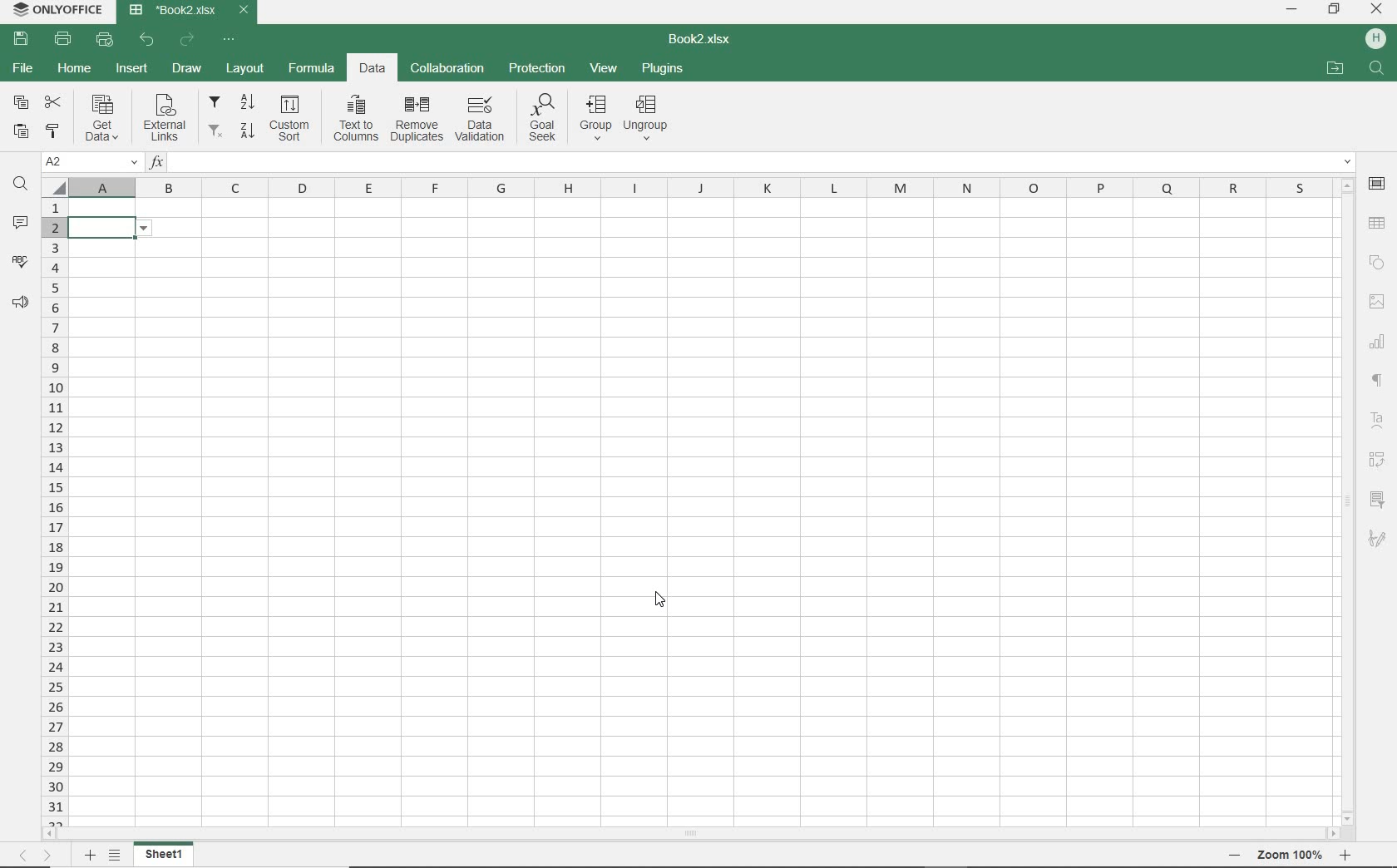  What do you see at coordinates (1376, 538) in the screenshot?
I see `SIGNATURE` at bounding box center [1376, 538].